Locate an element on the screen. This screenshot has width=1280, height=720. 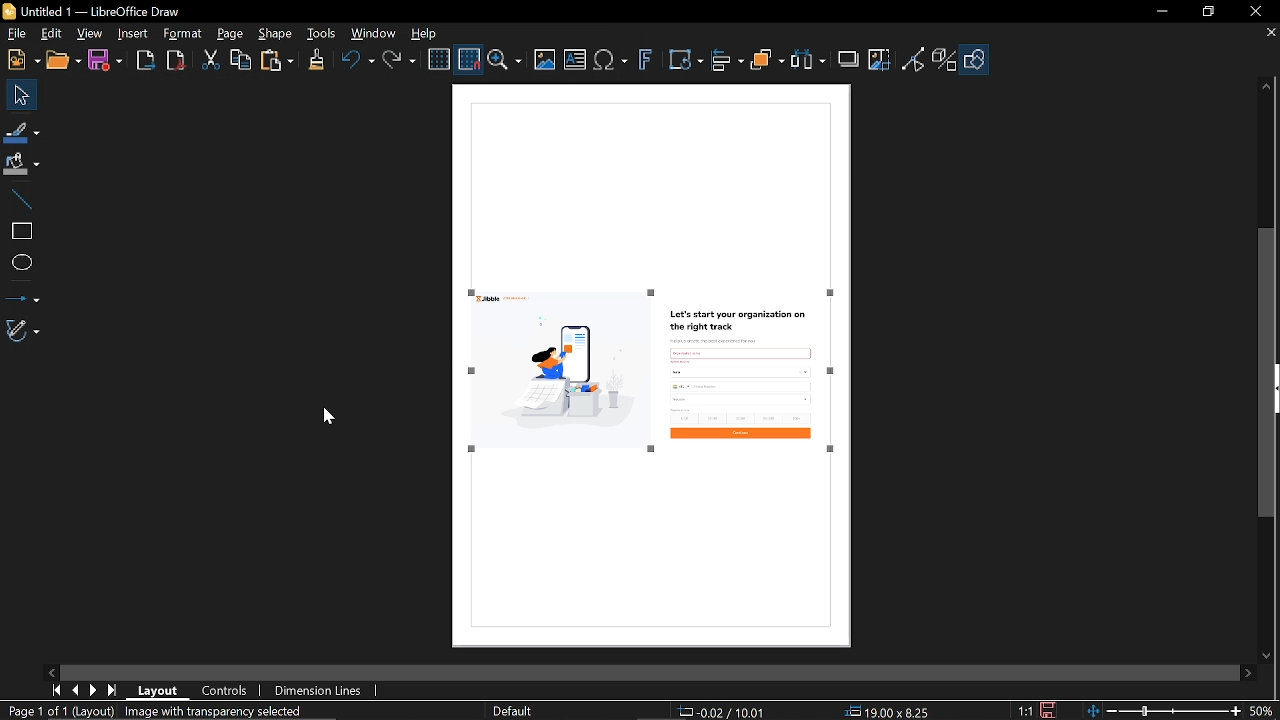
Help is located at coordinates (430, 35).